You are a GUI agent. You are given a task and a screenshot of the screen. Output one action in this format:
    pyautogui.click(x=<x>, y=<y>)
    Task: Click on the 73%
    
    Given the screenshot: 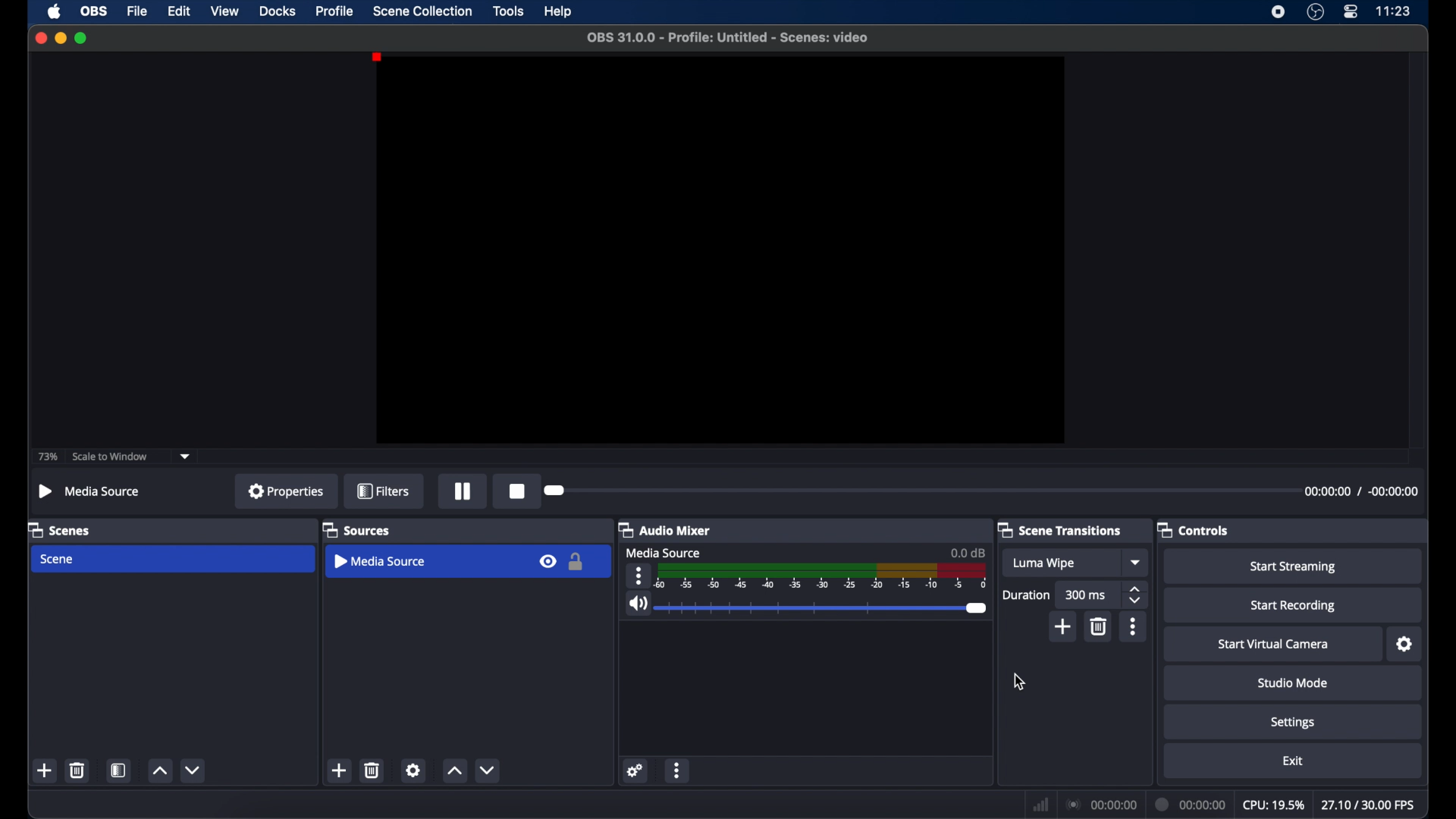 What is the action you would take?
    pyautogui.click(x=47, y=457)
    